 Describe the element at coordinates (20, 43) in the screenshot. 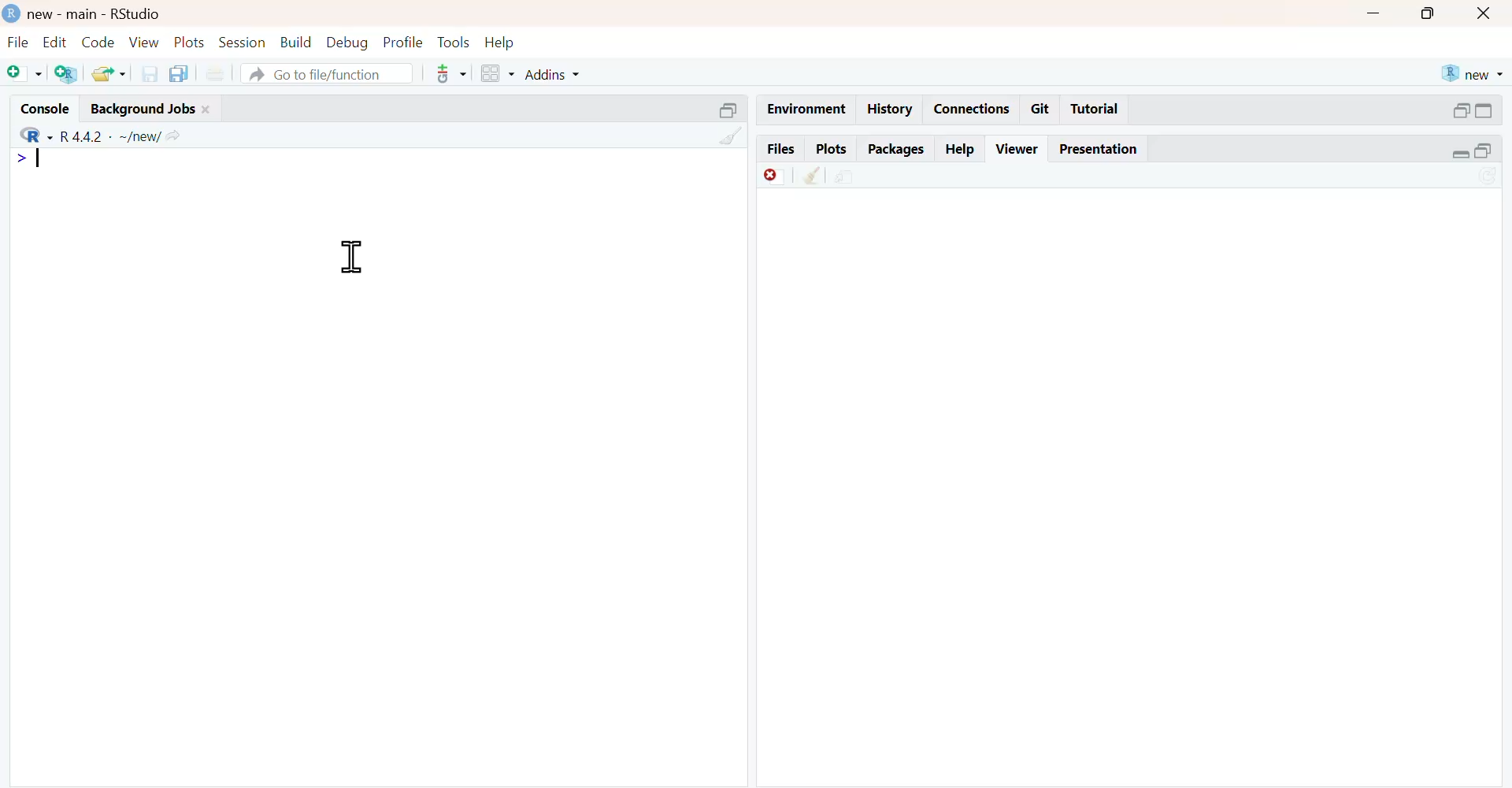

I see `file` at that location.